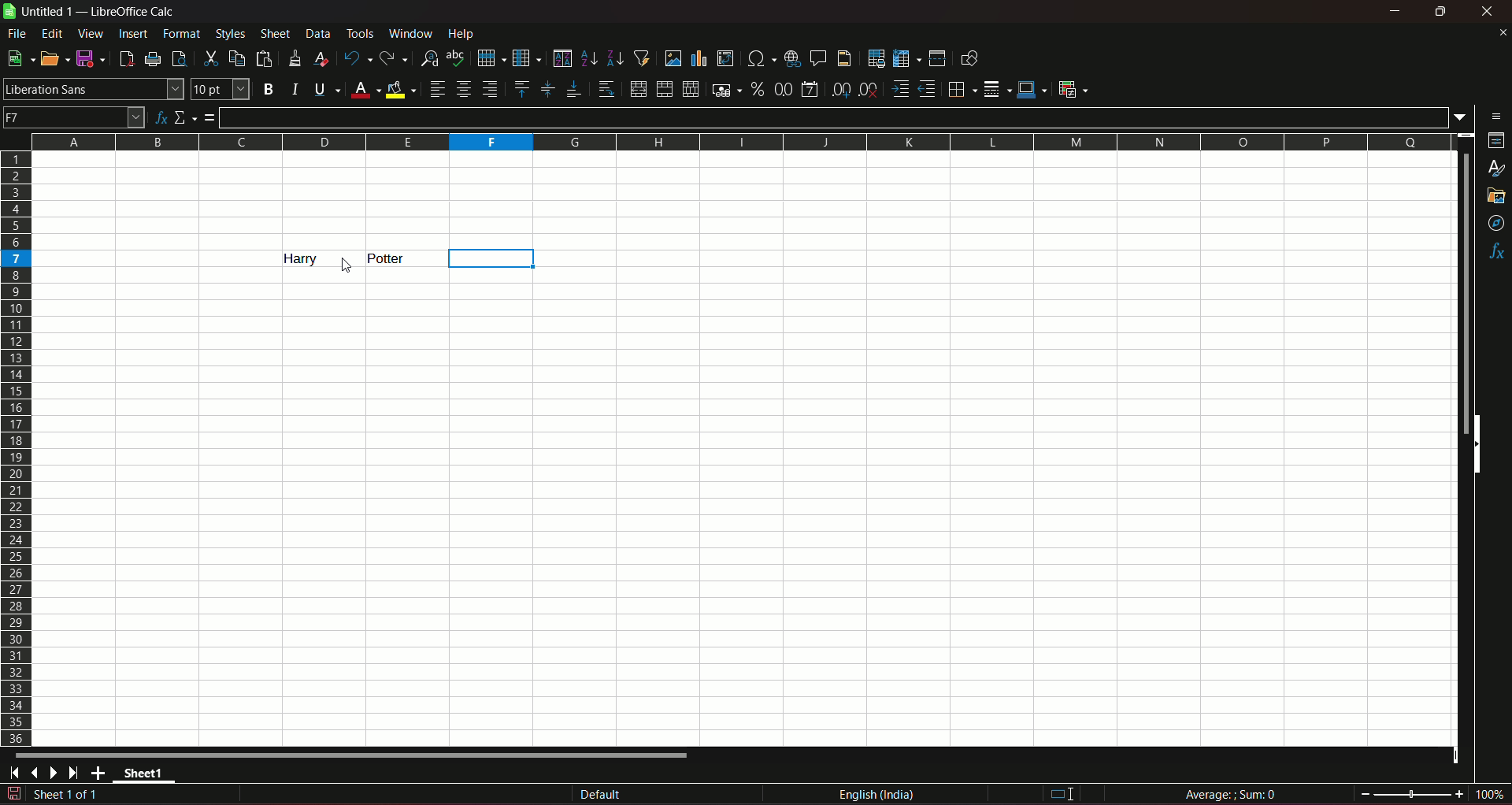 Image resolution: width=1512 pixels, height=805 pixels. I want to click on increase indent, so click(899, 89).